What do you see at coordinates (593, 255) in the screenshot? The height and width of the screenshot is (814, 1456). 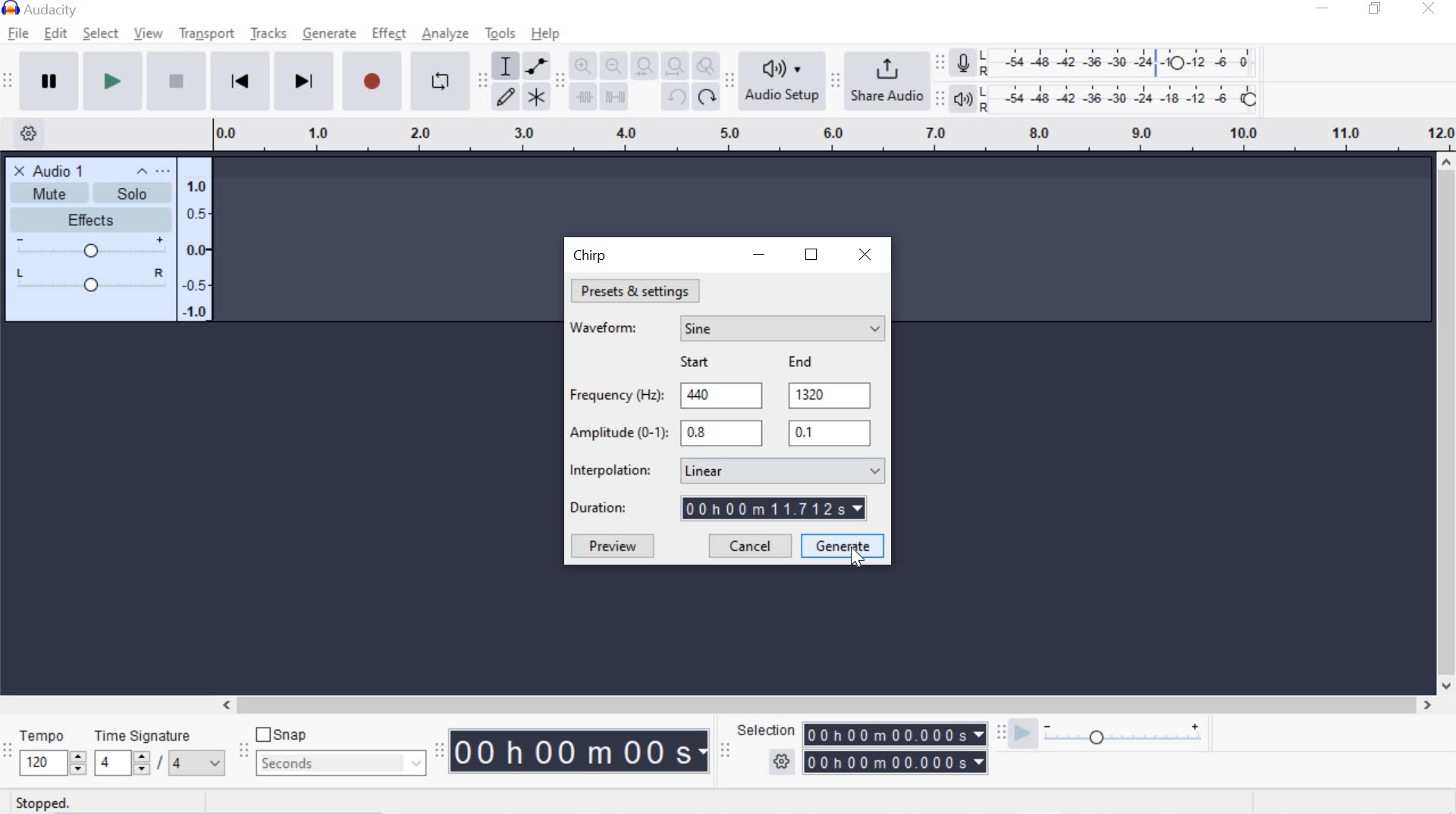 I see `chirp` at bounding box center [593, 255].